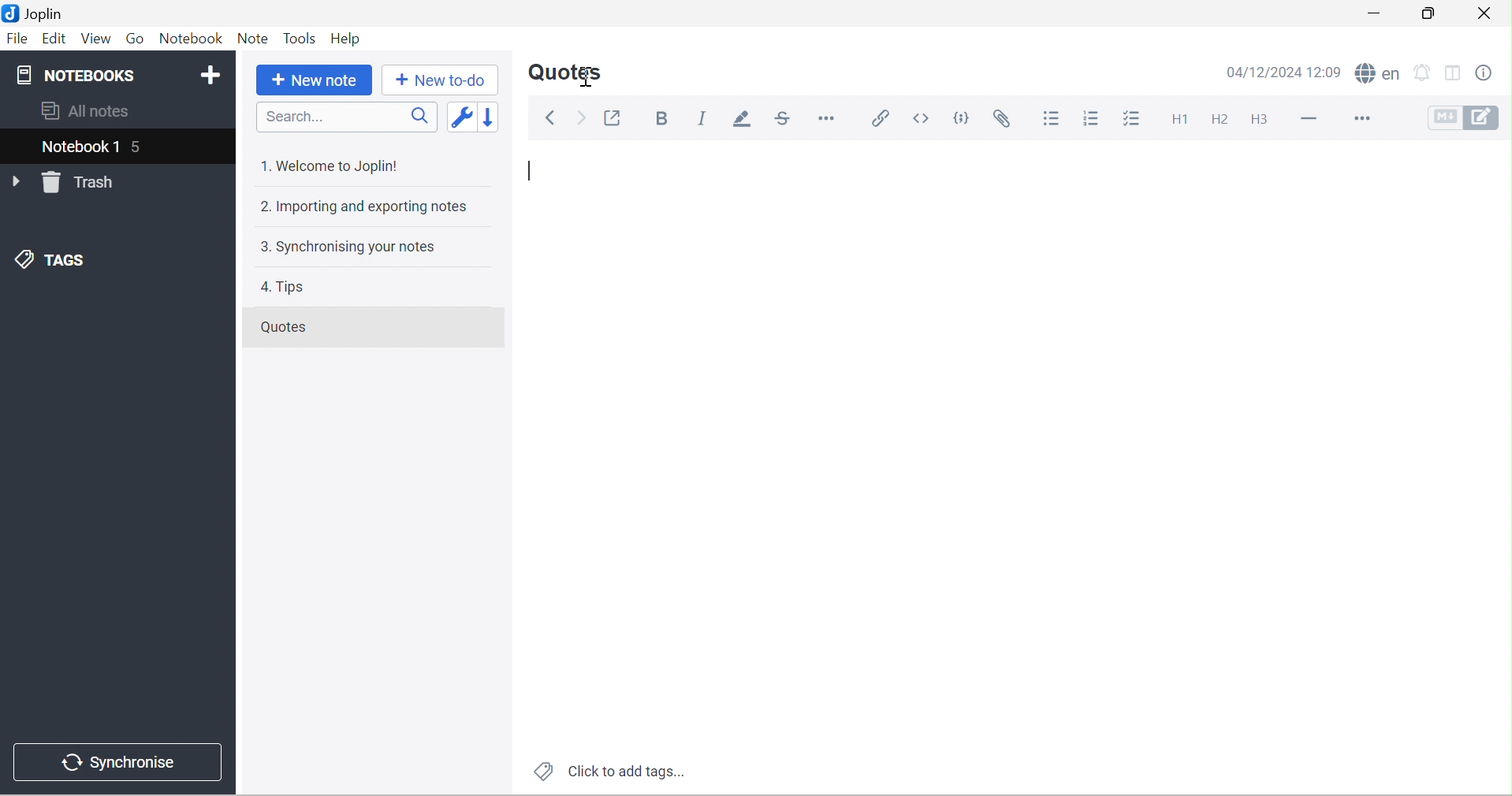 The width and height of the screenshot is (1512, 796). Describe the element at coordinates (1468, 119) in the screenshot. I see `Toggle editors` at that location.